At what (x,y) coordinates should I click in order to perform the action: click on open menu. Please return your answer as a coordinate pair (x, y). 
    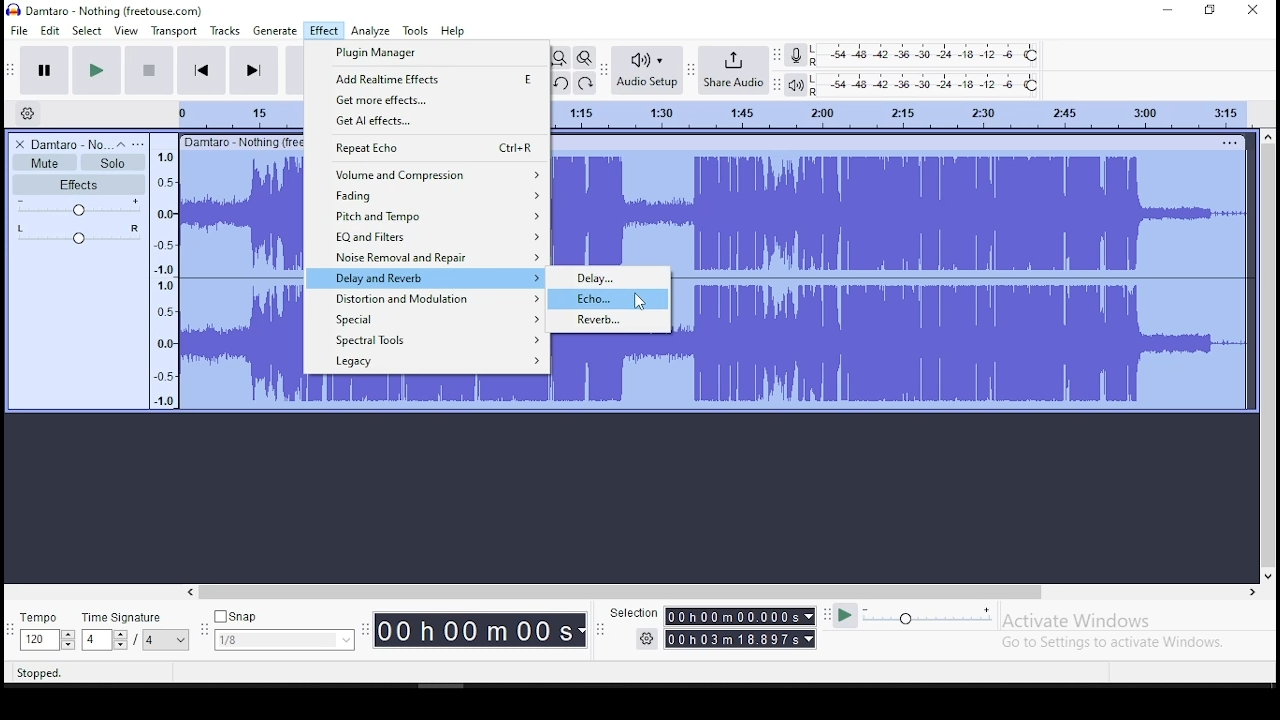
    Looking at the image, I should click on (141, 142).